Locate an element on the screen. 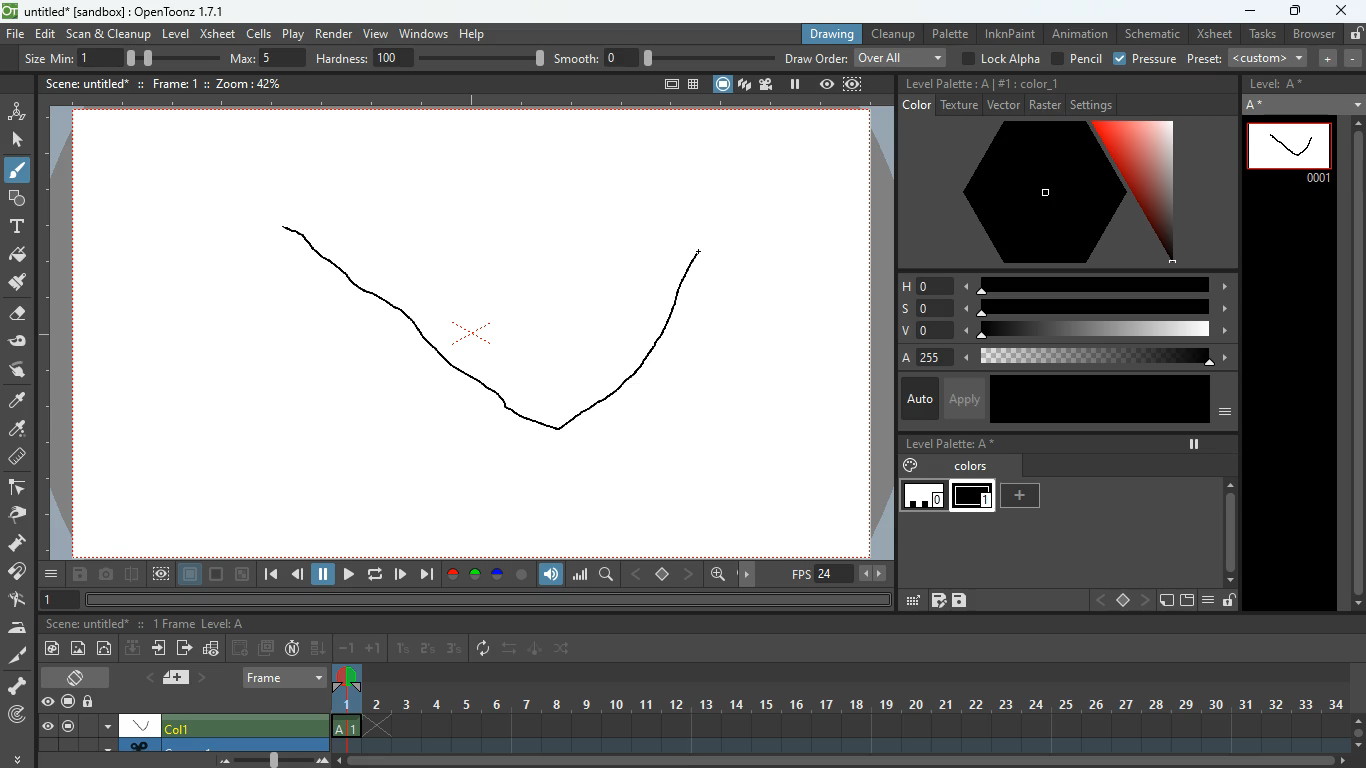  scene title is located at coordinates (90, 624).